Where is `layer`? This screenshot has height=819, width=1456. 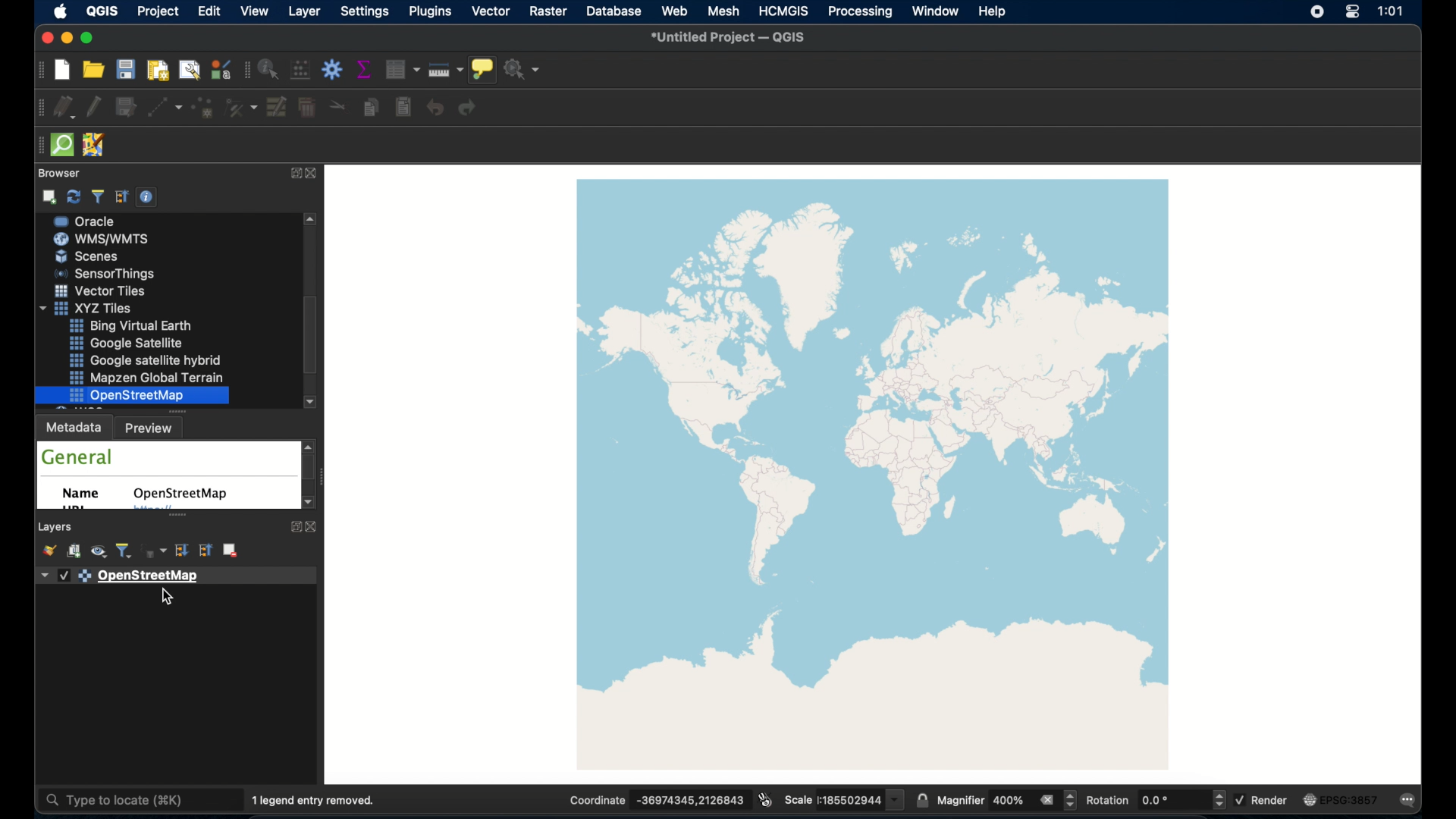 layer is located at coordinates (303, 11).